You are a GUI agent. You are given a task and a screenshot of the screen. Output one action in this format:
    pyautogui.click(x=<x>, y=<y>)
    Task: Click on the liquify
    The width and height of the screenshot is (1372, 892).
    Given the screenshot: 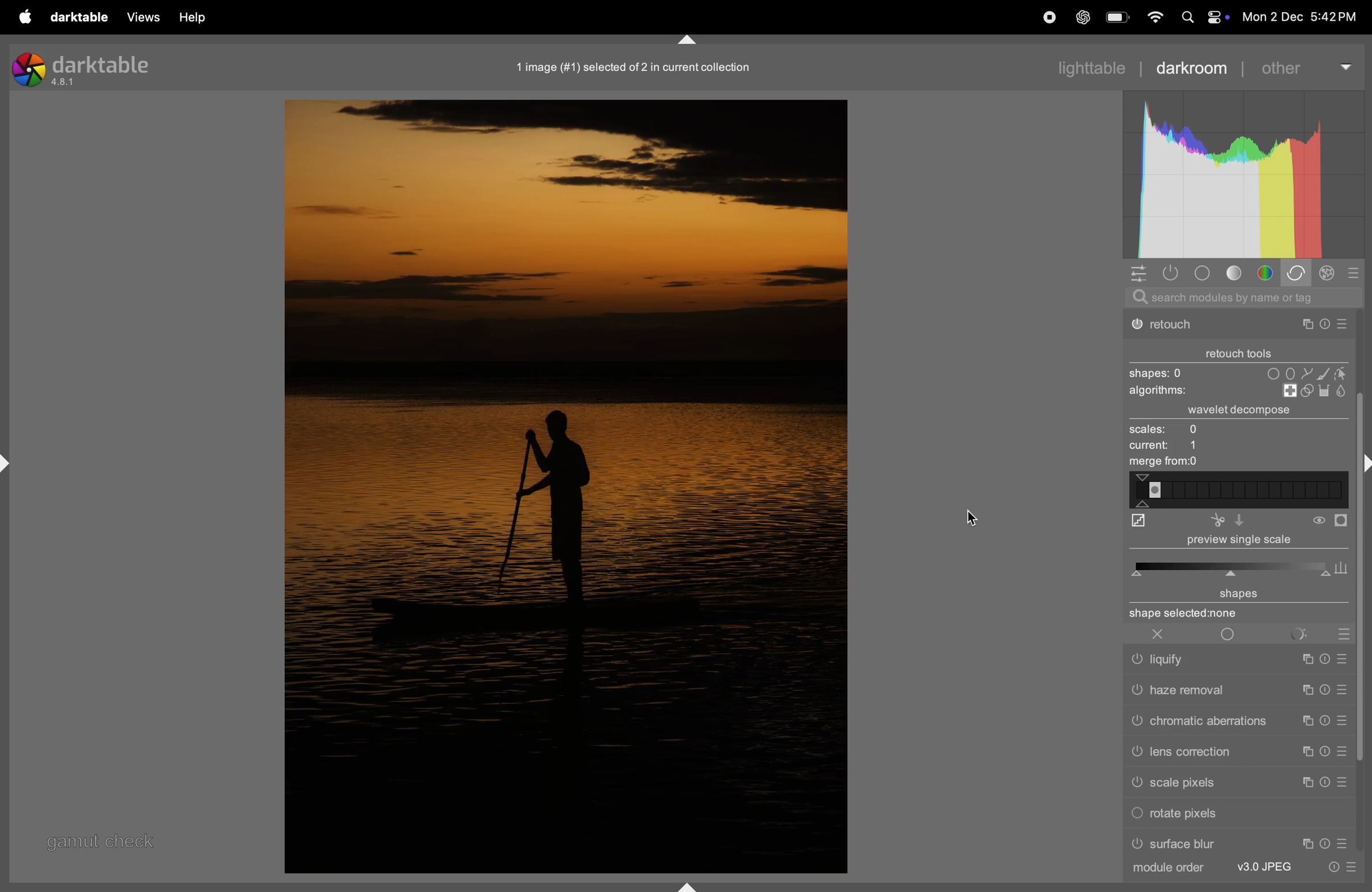 What is the action you would take?
    pyautogui.click(x=1242, y=659)
    